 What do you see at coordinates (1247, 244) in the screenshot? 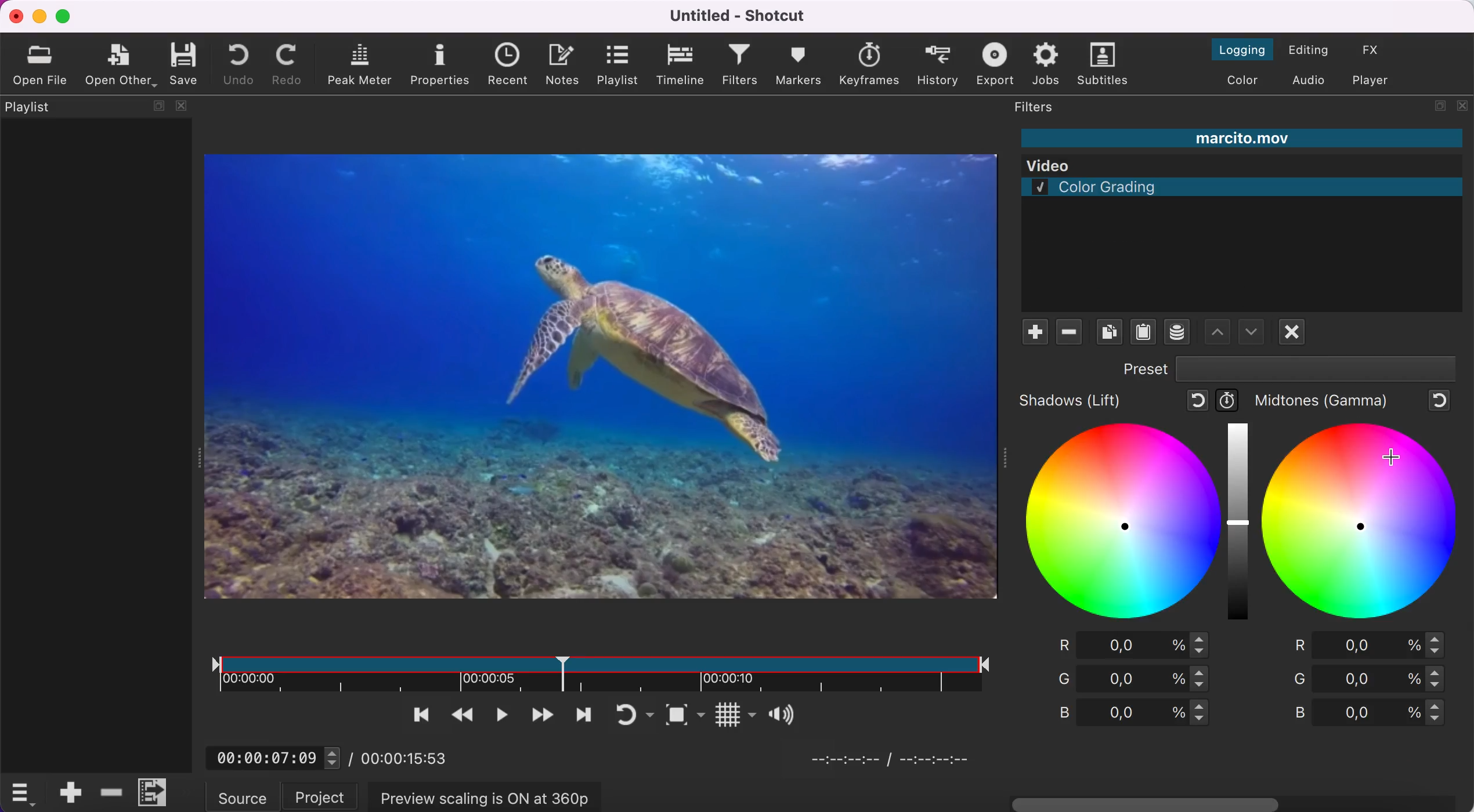
I see `color grading filter` at bounding box center [1247, 244].